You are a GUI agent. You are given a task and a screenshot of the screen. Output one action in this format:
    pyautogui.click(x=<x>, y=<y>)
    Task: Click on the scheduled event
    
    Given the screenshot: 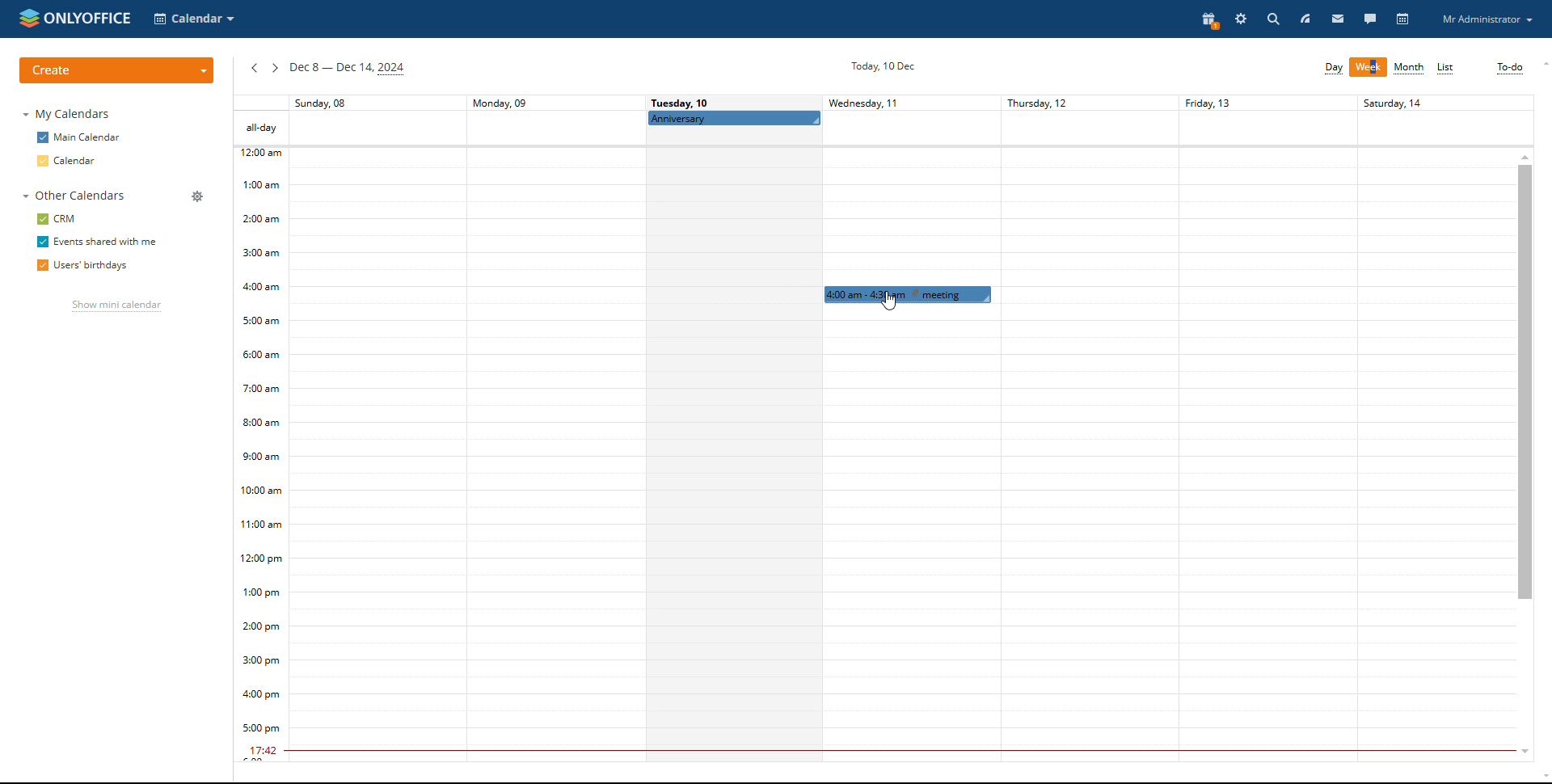 What is the action you would take?
    pyautogui.click(x=905, y=294)
    